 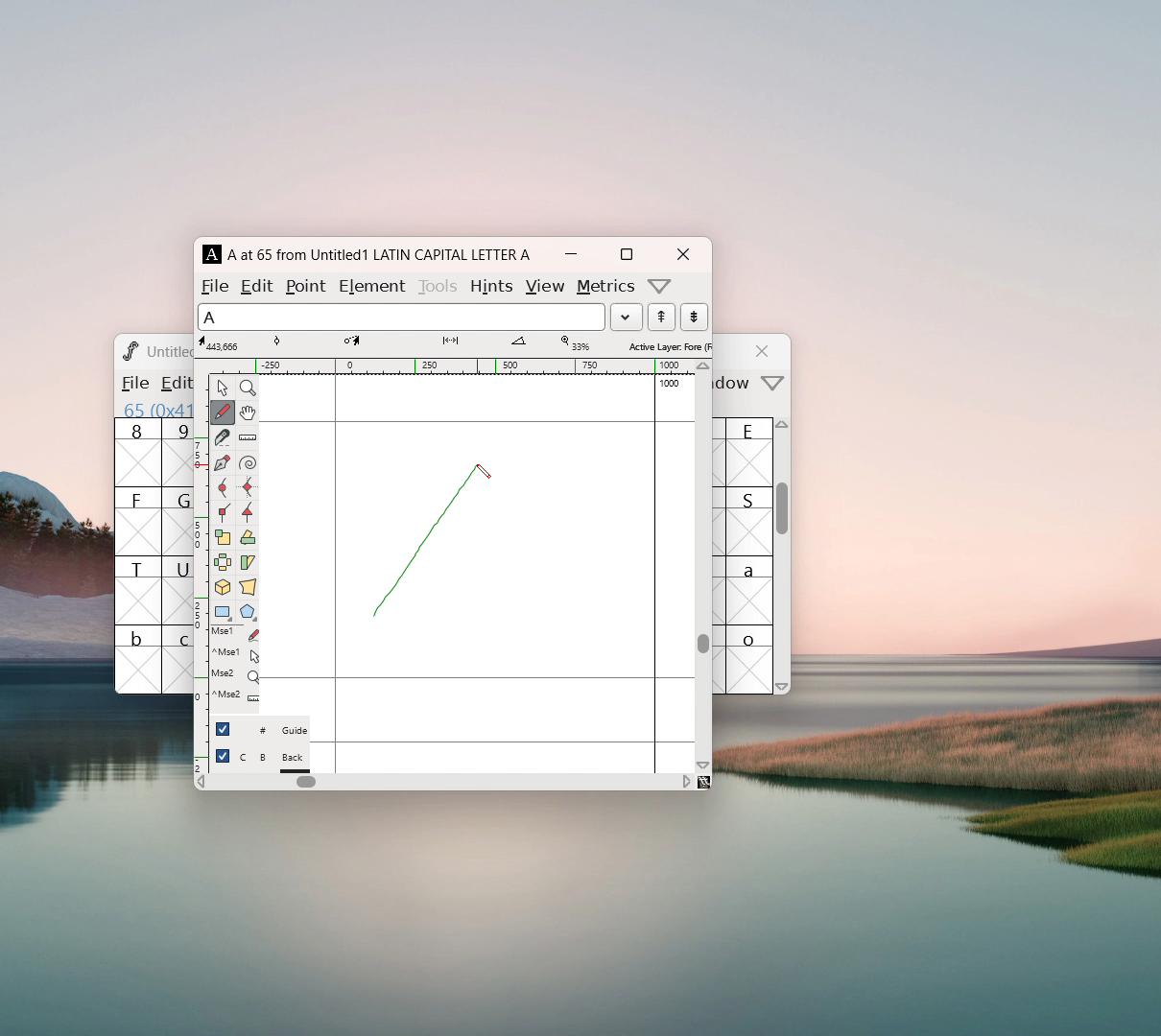 I want to click on coordinates of cursor destination, so click(x=351, y=343).